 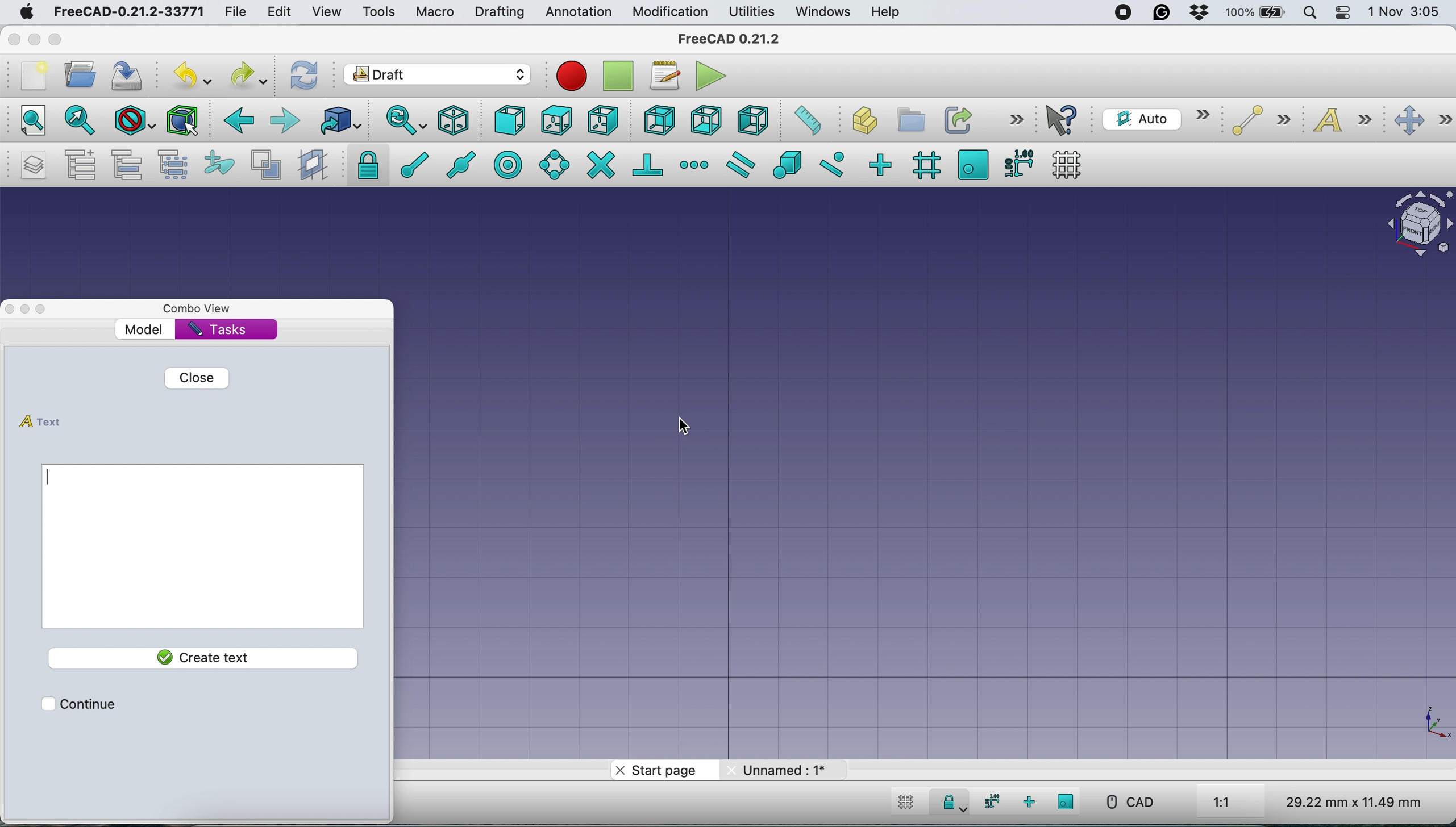 What do you see at coordinates (1308, 12) in the screenshot?
I see `spotlight search` at bounding box center [1308, 12].